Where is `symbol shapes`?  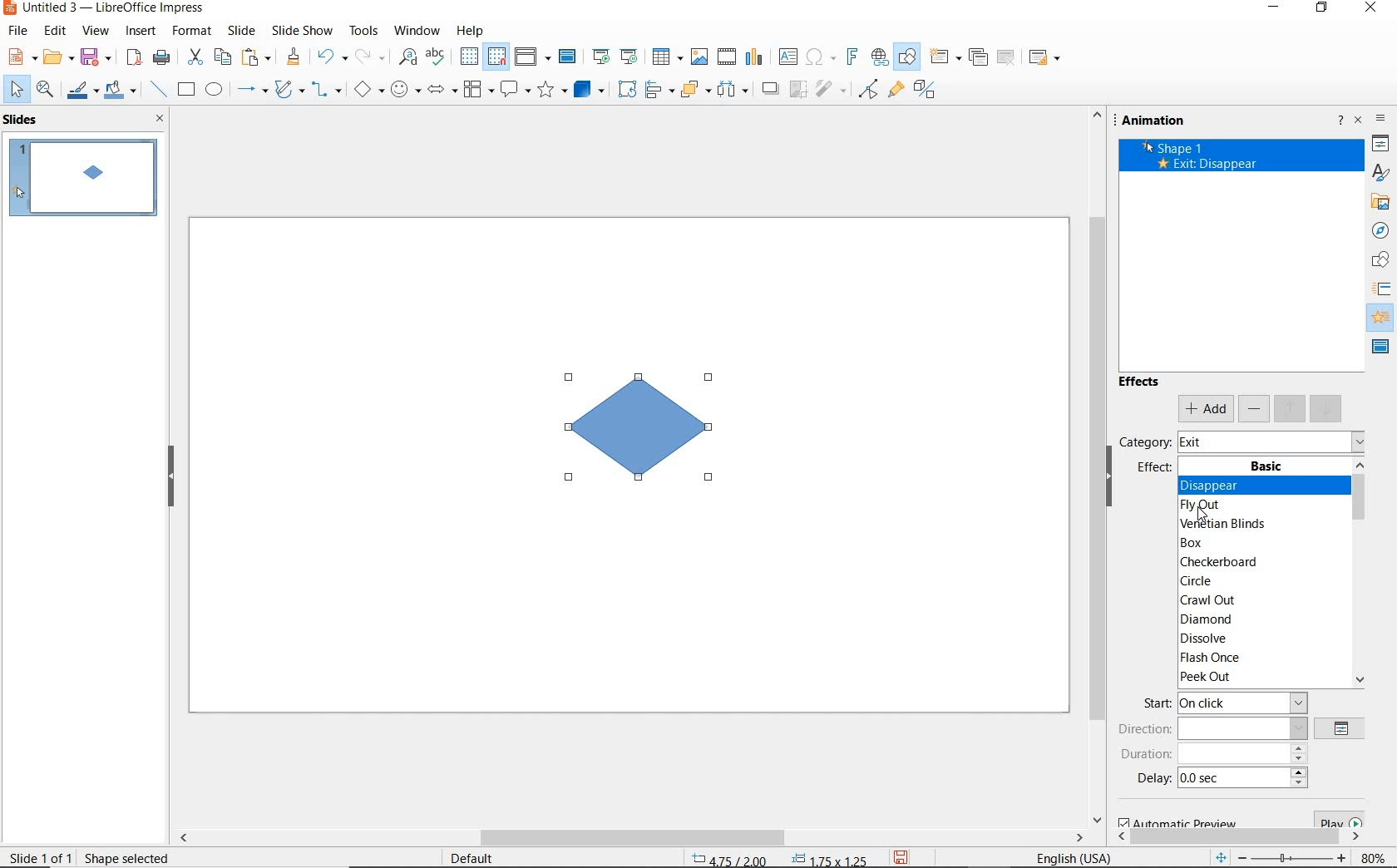 symbol shapes is located at coordinates (406, 89).